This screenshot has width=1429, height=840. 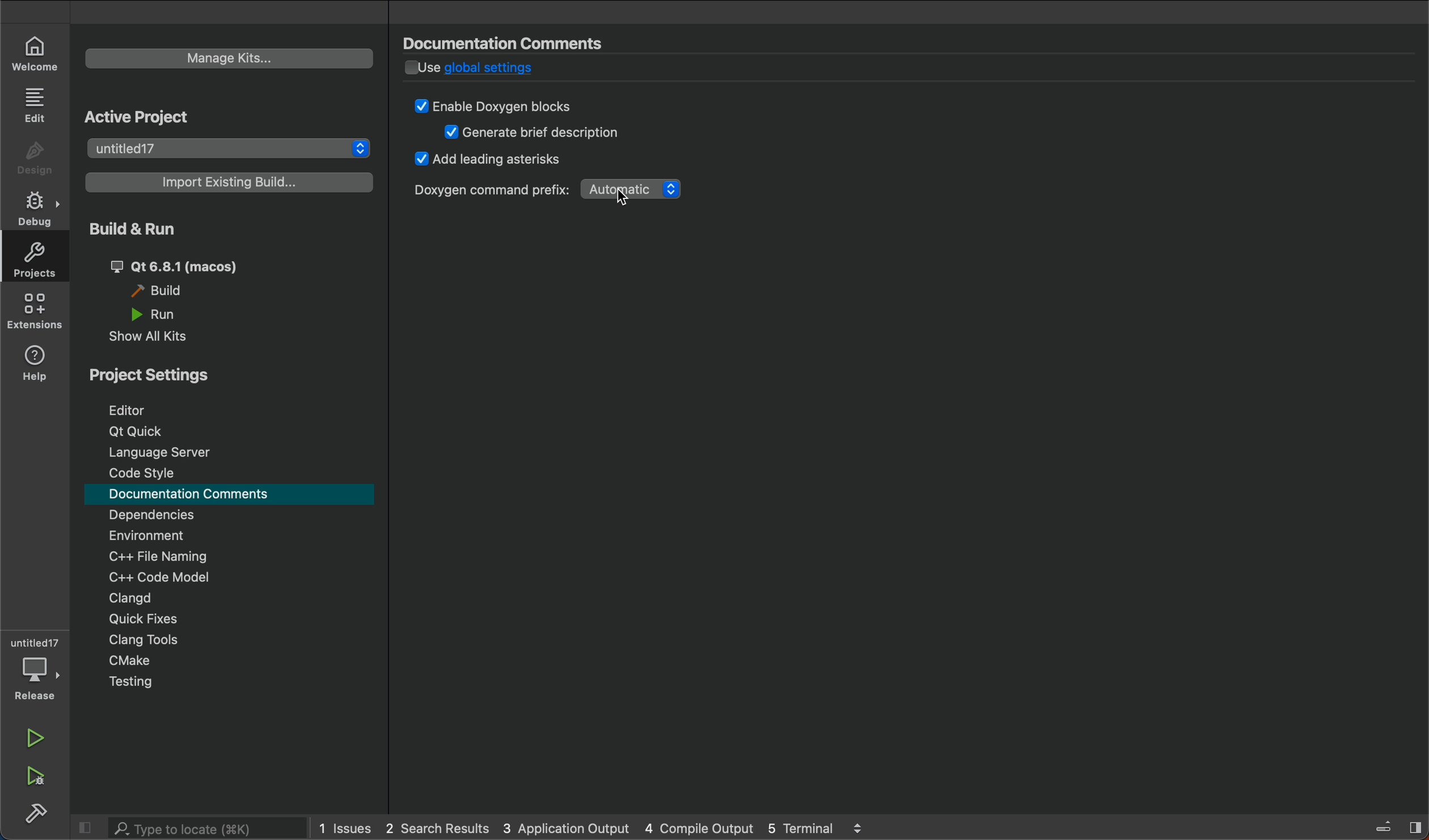 I want to click on file naming, so click(x=166, y=554).